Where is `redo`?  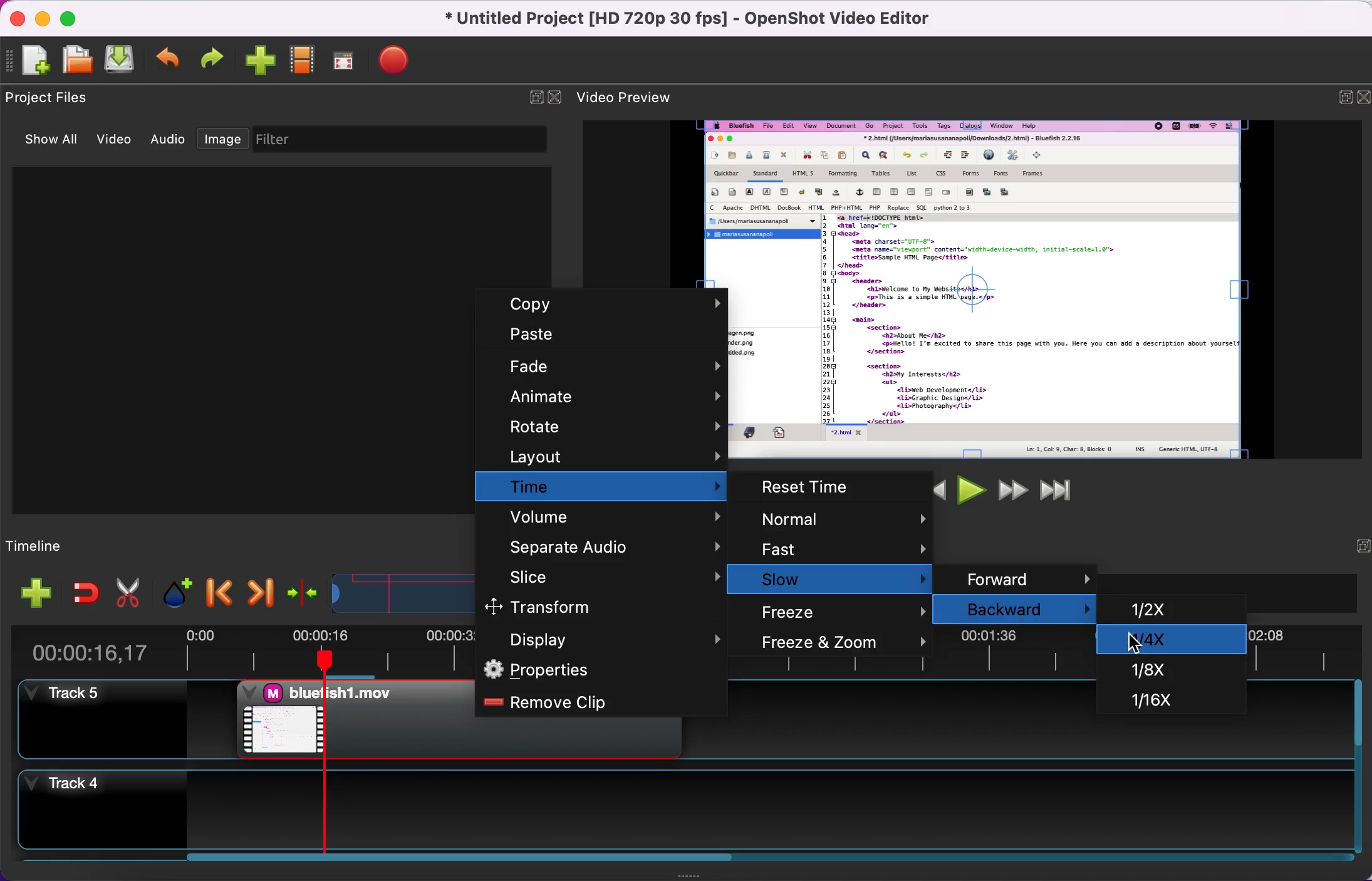
redo is located at coordinates (216, 58).